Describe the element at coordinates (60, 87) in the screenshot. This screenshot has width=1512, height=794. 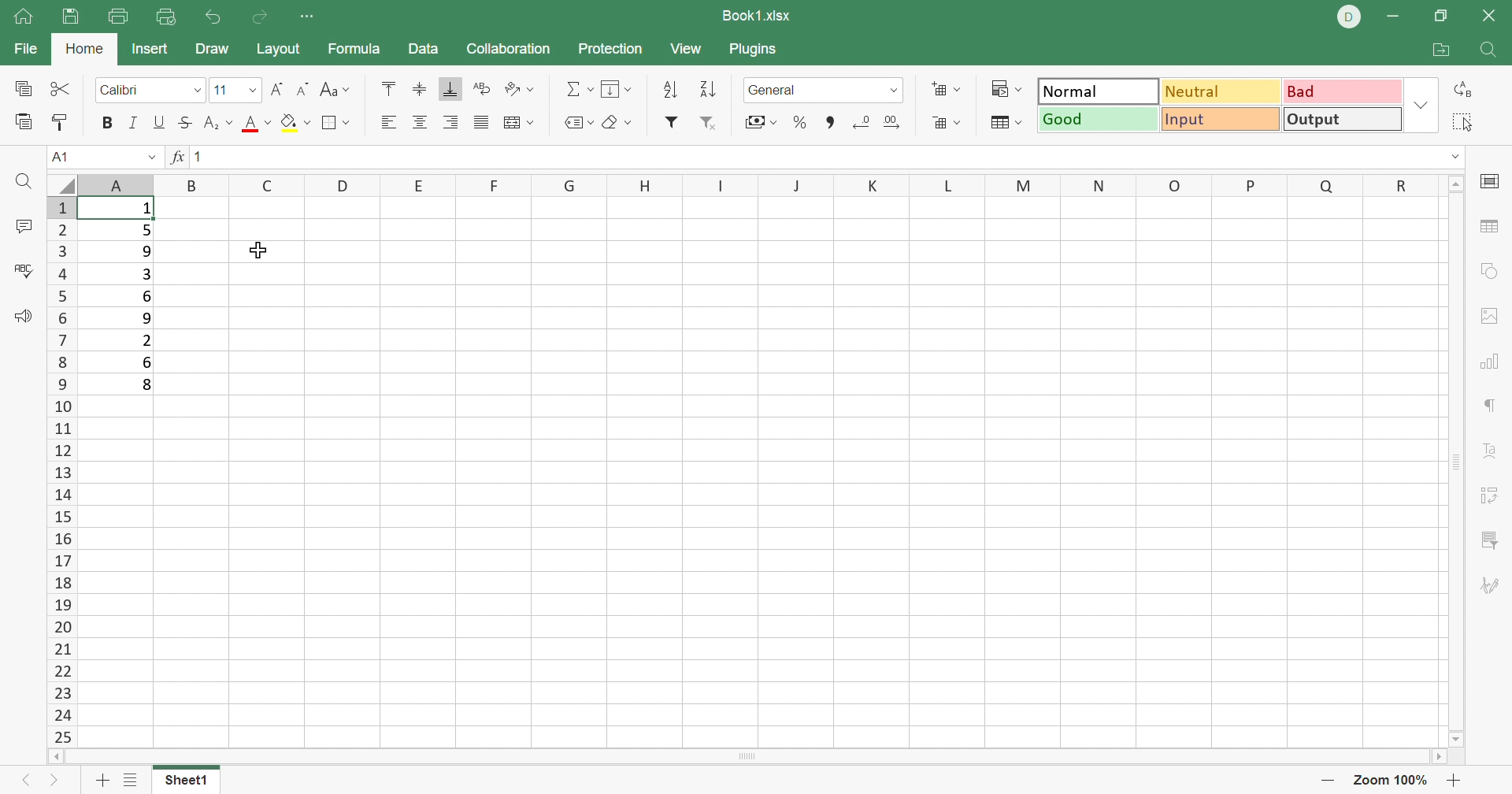
I see `Cut` at that location.